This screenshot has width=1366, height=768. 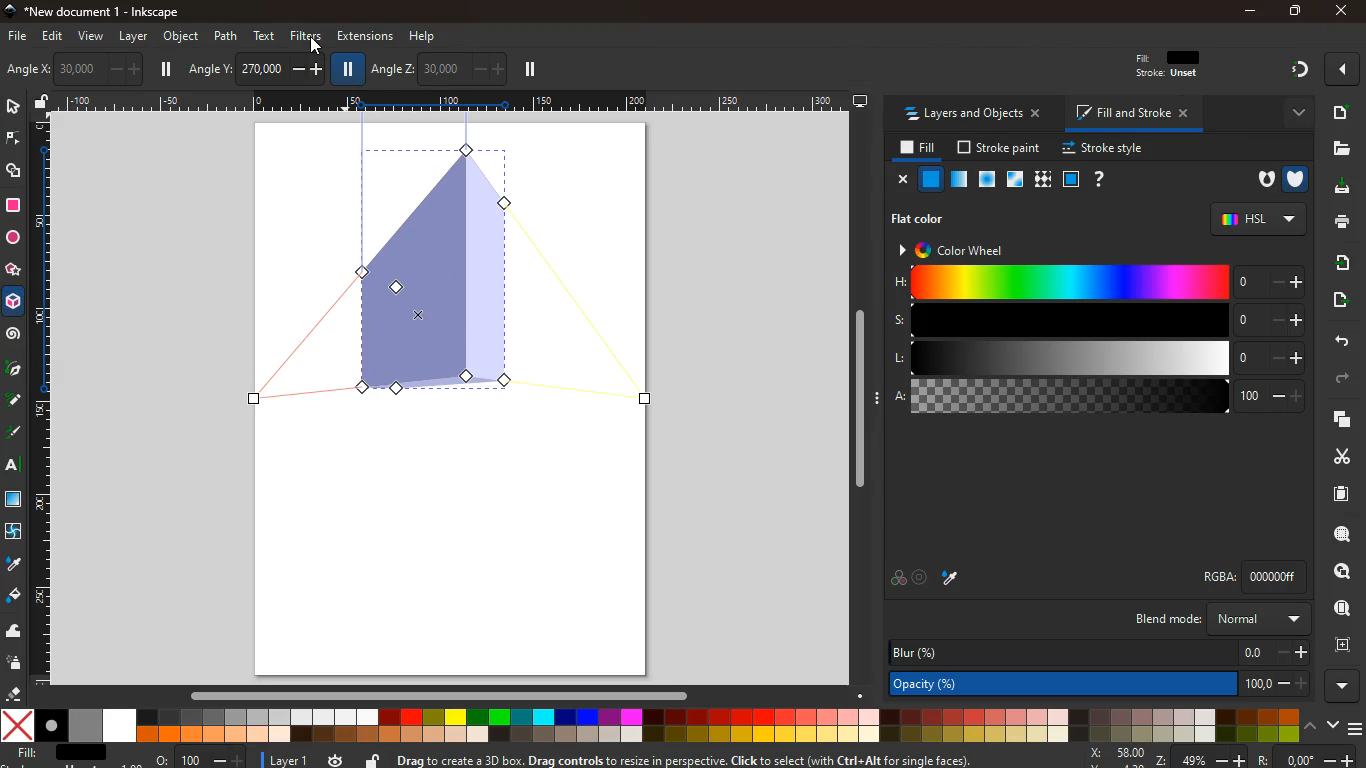 I want to click on file, so click(x=16, y=35).